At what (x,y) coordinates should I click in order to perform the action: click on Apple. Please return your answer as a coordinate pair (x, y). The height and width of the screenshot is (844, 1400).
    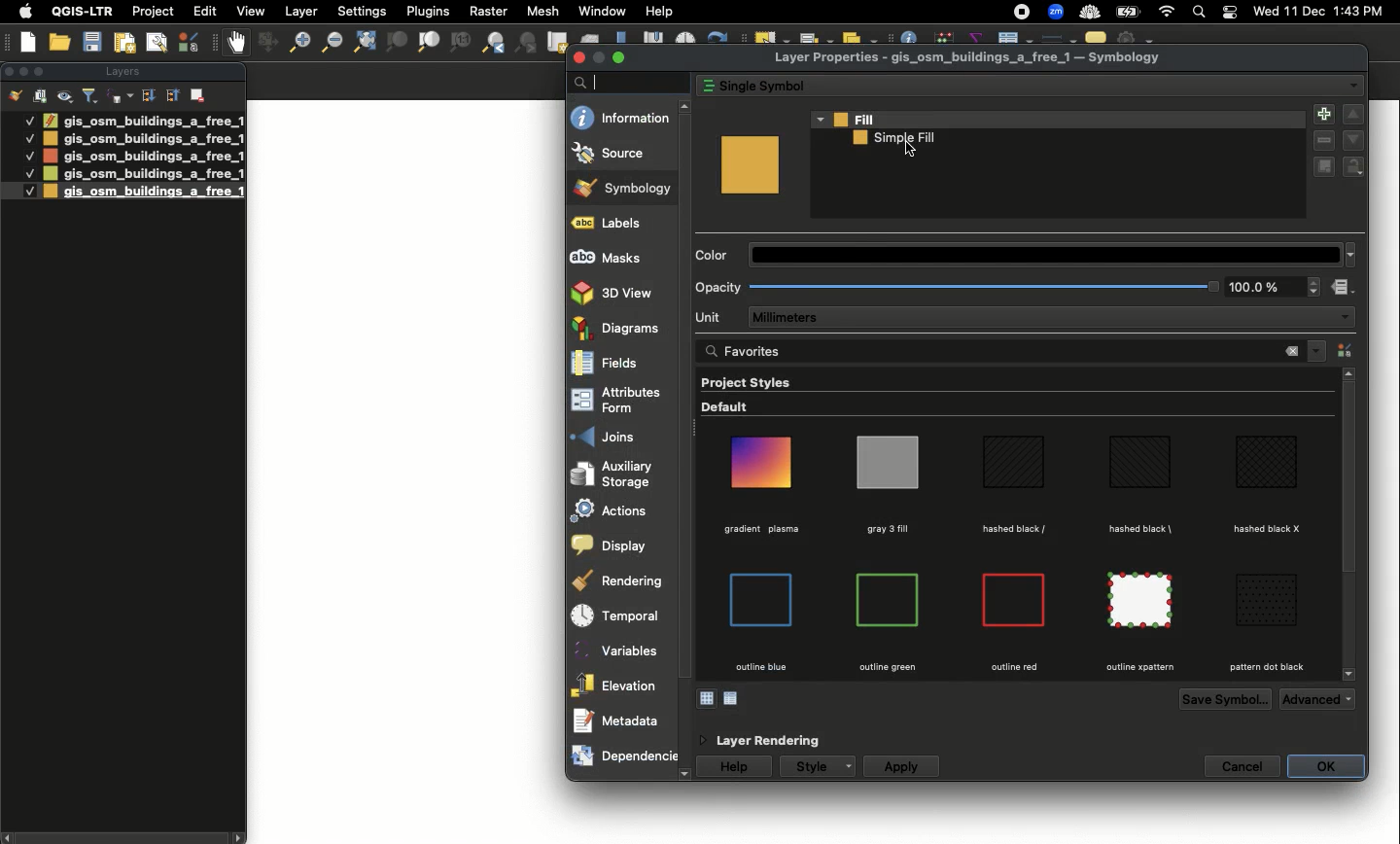
    Looking at the image, I should click on (22, 12).